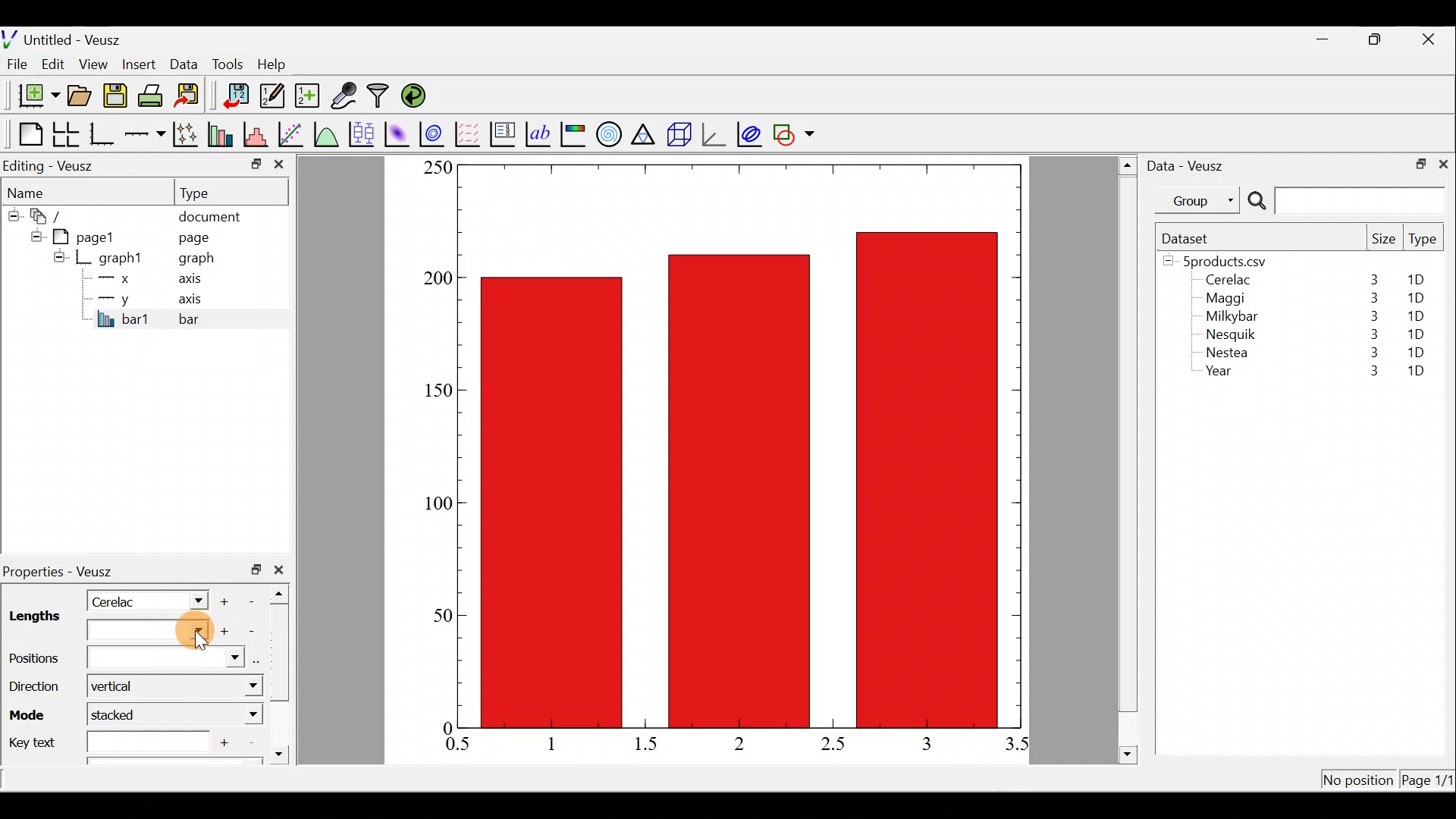  What do you see at coordinates (256, 570) in the screenshot?
I see `restore down` at bounding box center [256, 570].